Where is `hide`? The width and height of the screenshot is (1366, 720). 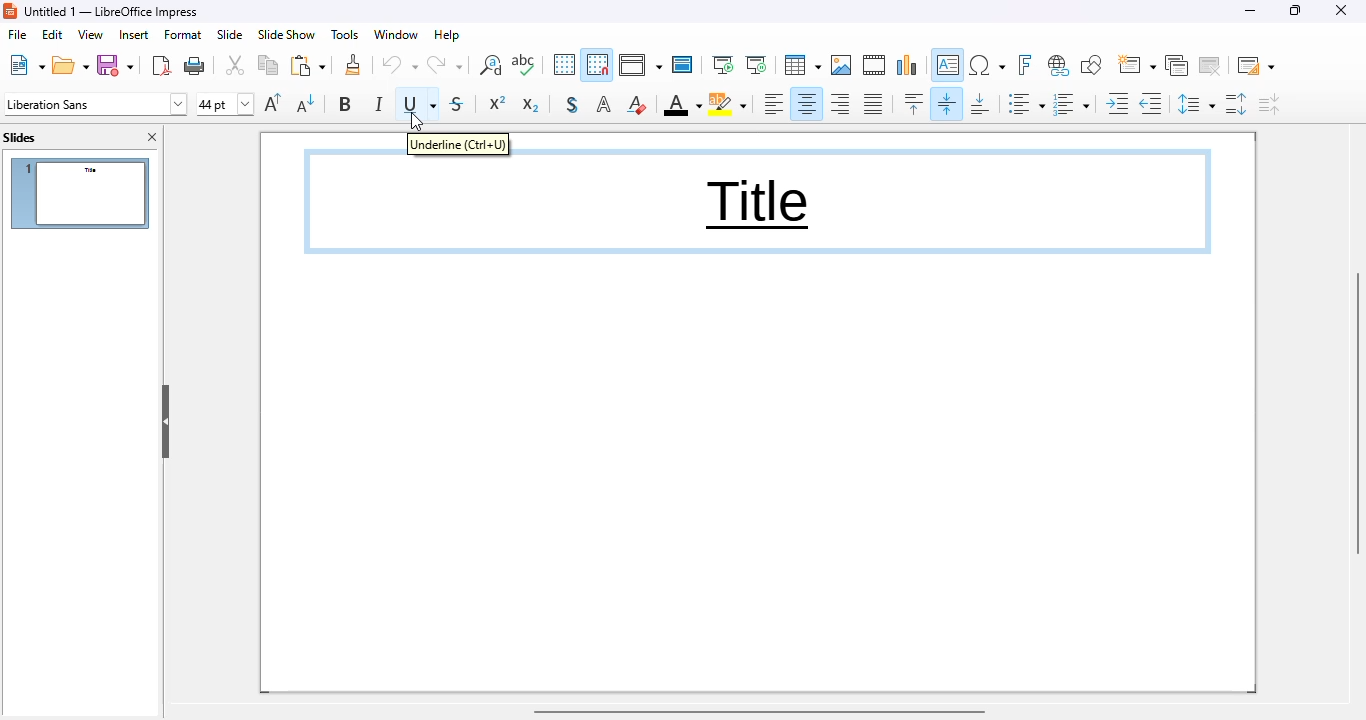 hide is located at coordinates (165, 421).